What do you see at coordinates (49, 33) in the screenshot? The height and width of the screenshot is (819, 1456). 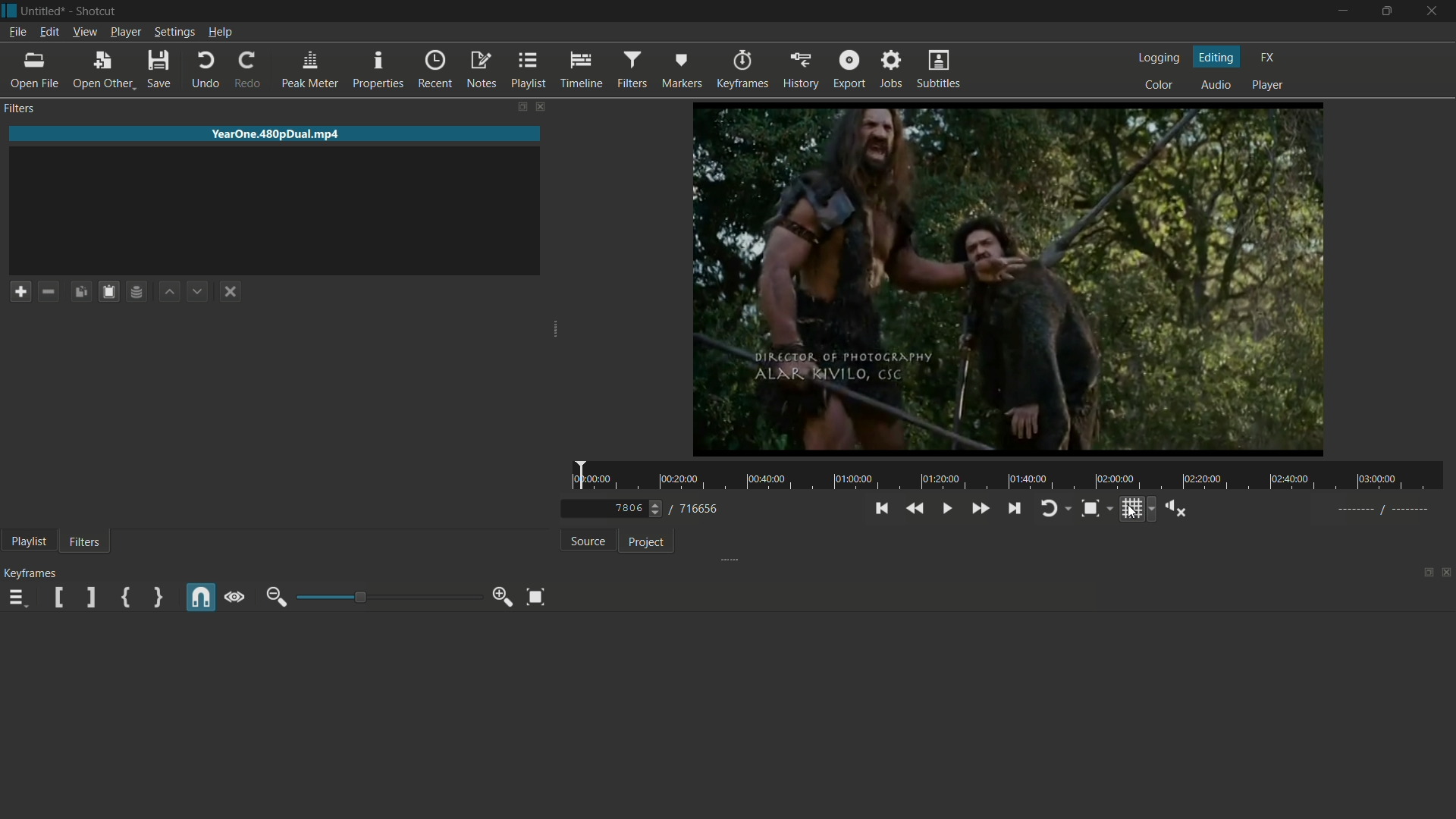 I see `edit menu` at bounding box center [49, 33].